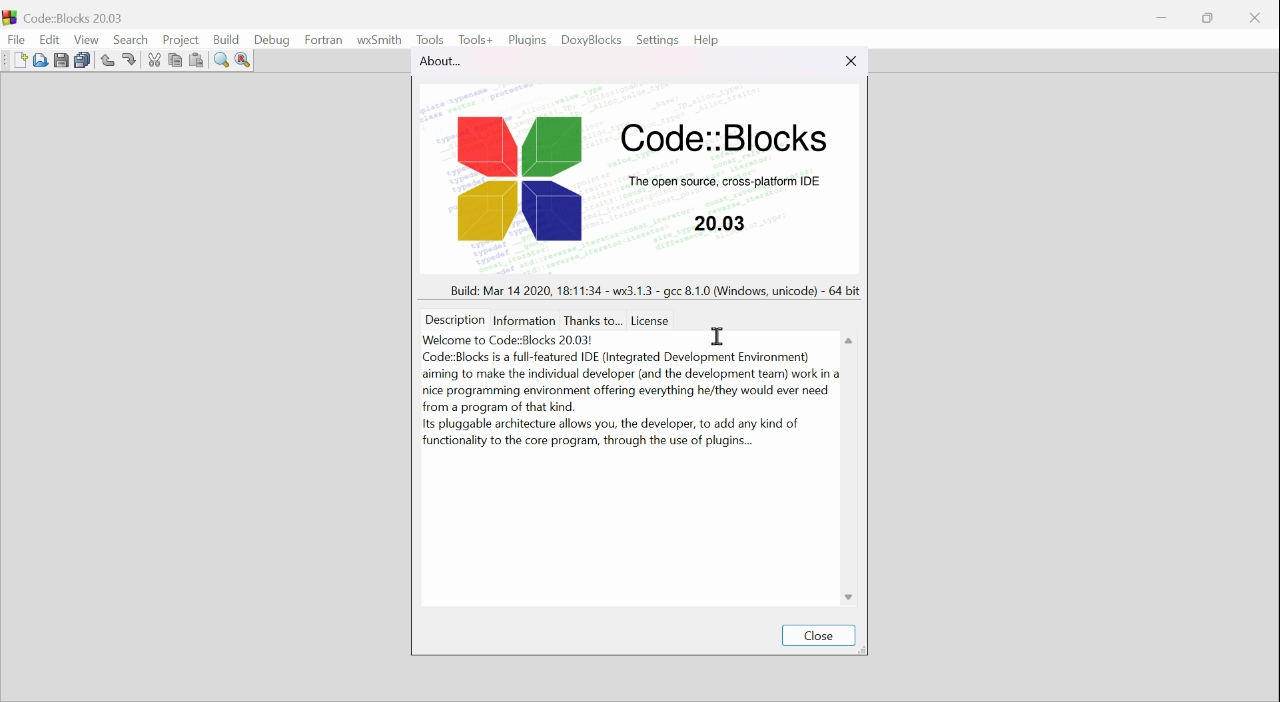  Describe the element at coordinates (820, 635) in the screenshot. I see `Close` at that location.